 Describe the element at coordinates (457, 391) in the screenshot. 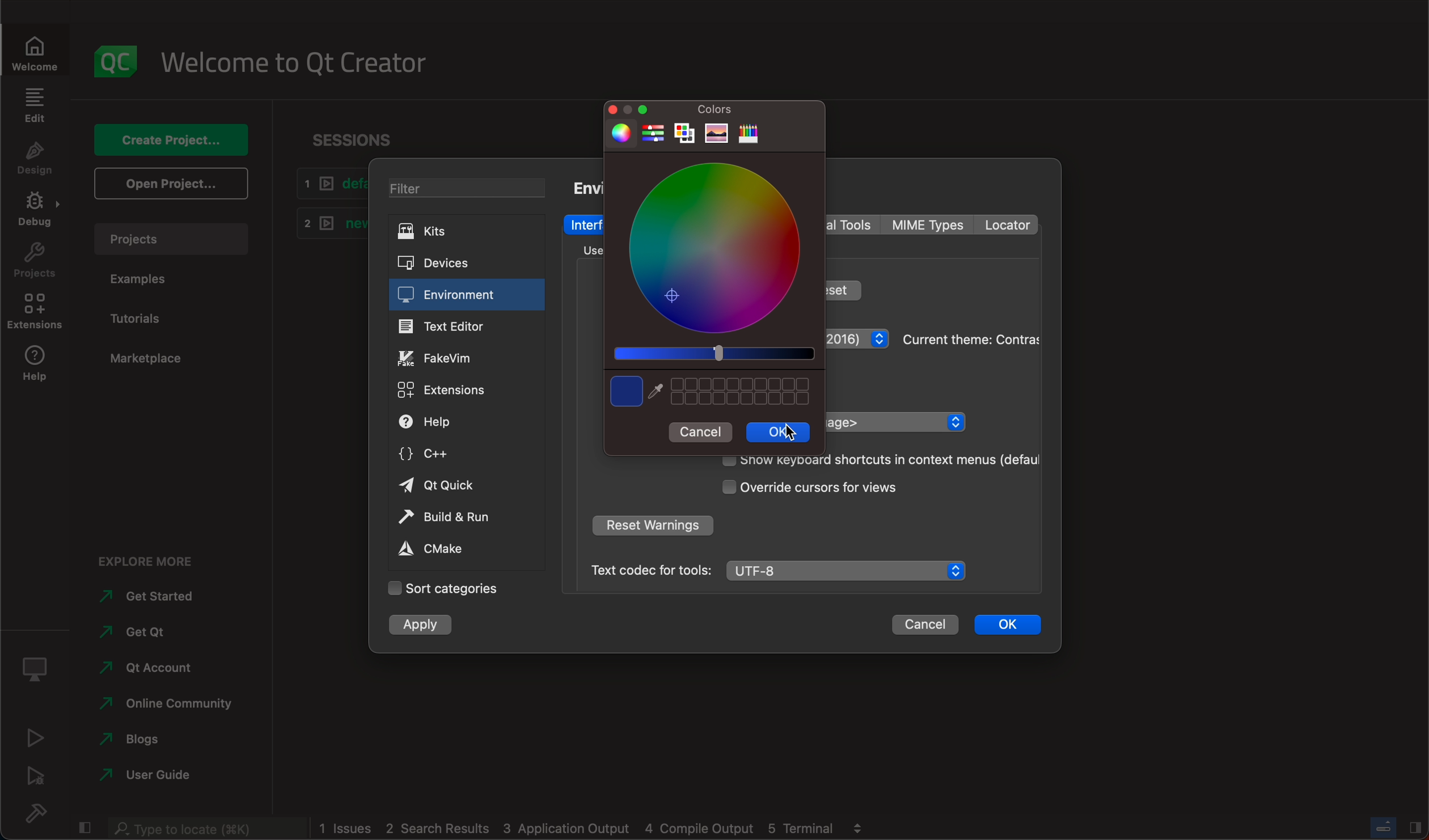

I see `extensions` at that location.